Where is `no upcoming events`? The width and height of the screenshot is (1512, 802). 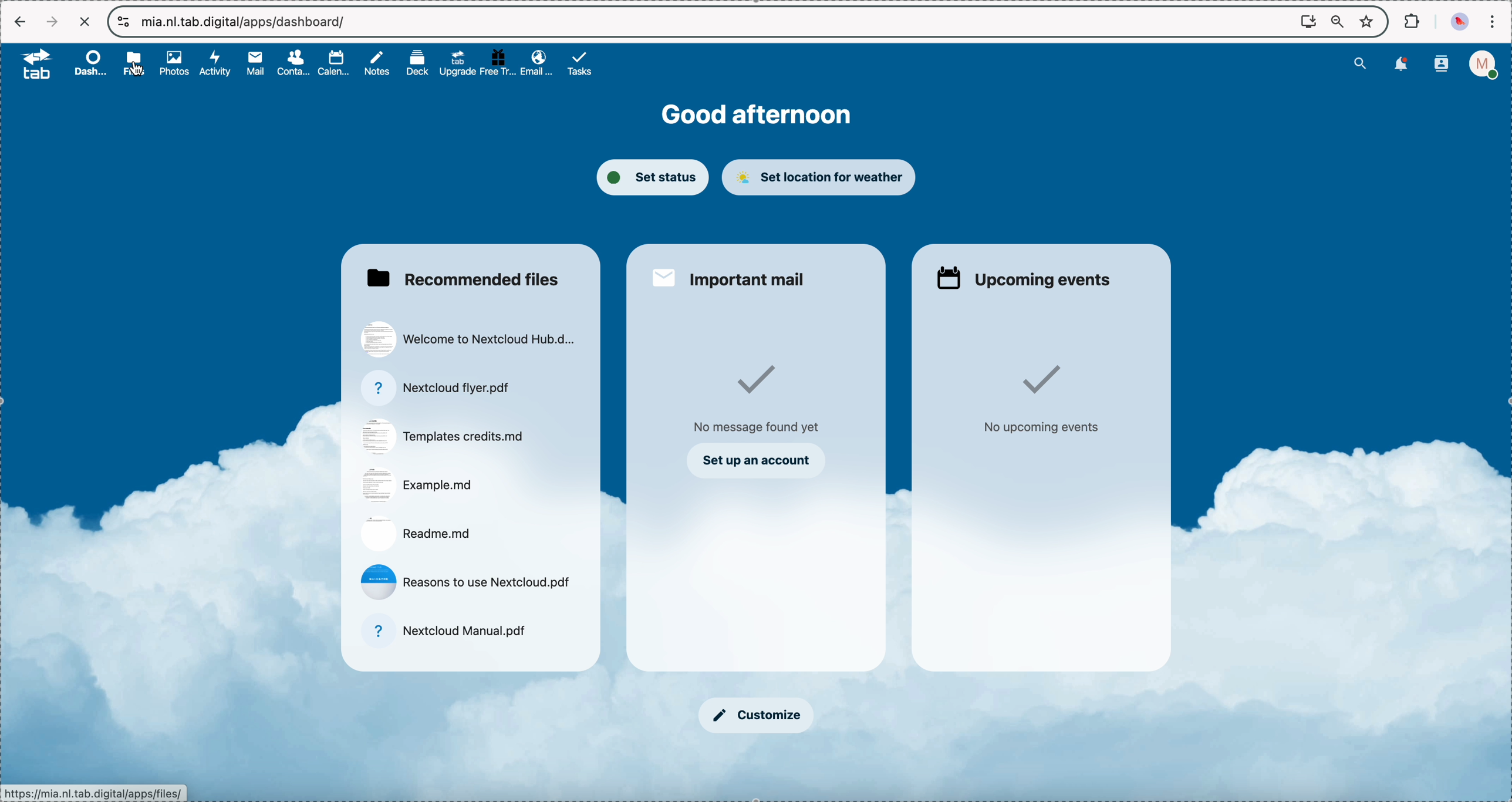 no upcoming events is located at coordinates (1042, 400).